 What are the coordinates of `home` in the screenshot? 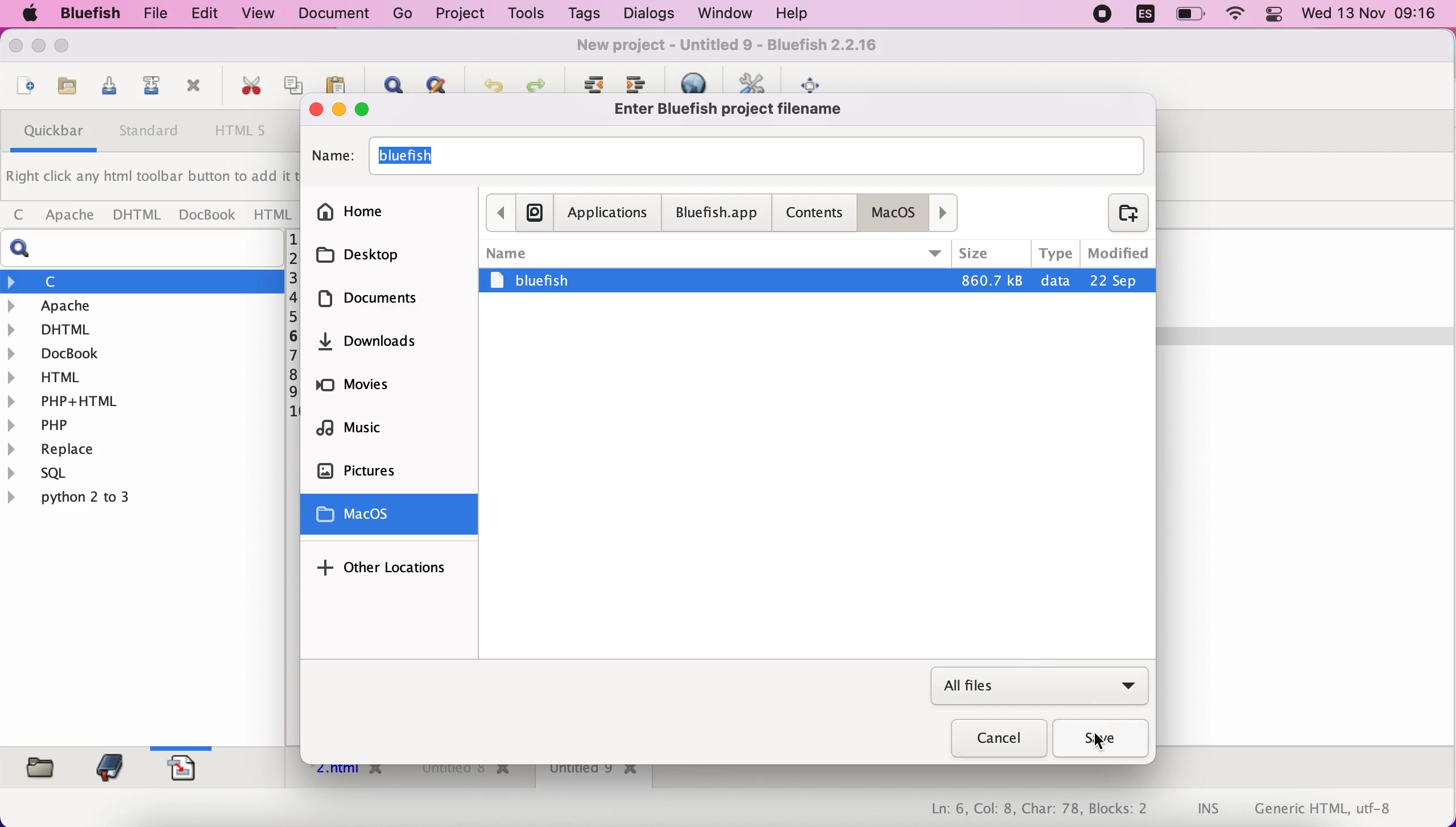 It's located at (390, 209).